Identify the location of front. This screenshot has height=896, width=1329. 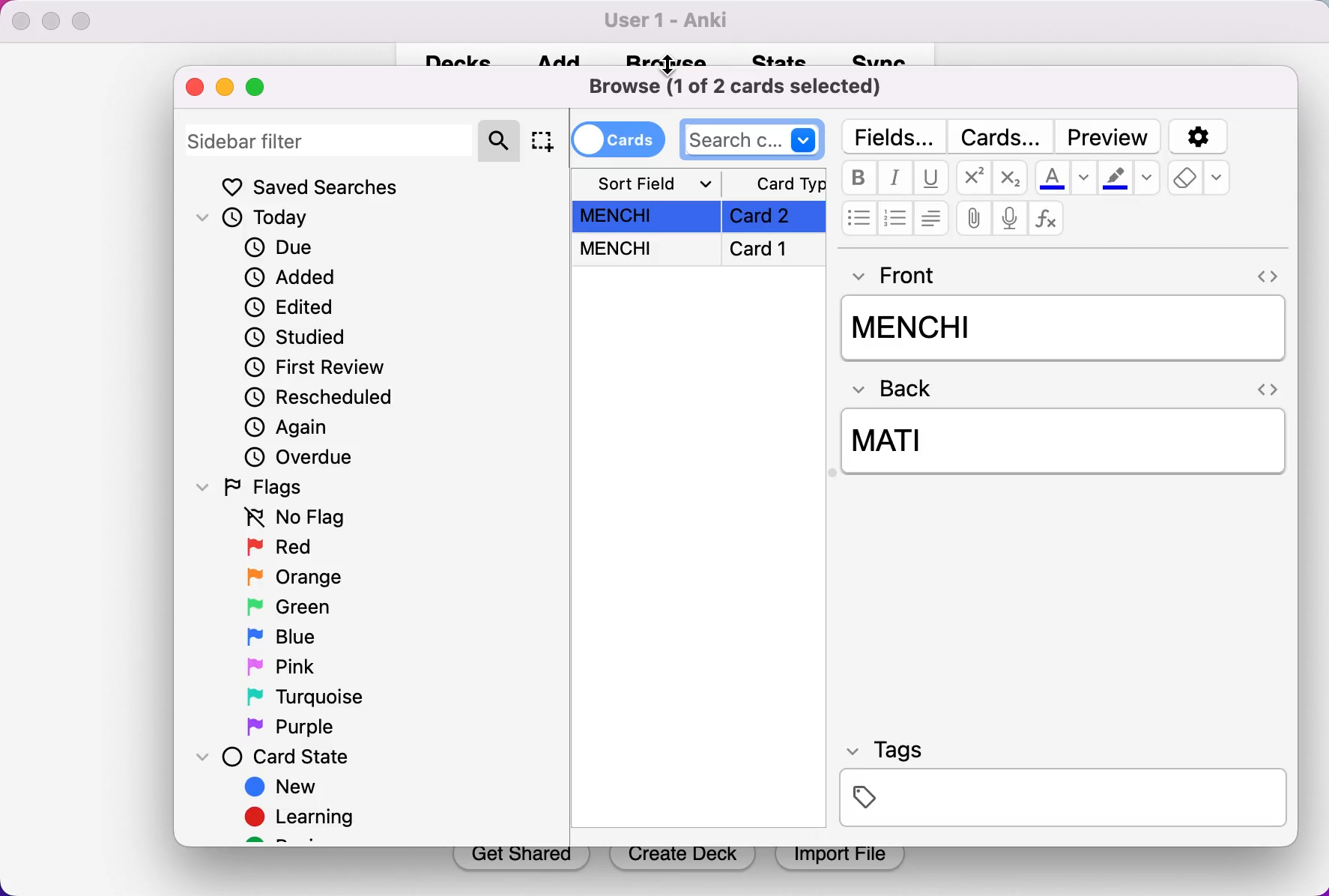
(904, 276).